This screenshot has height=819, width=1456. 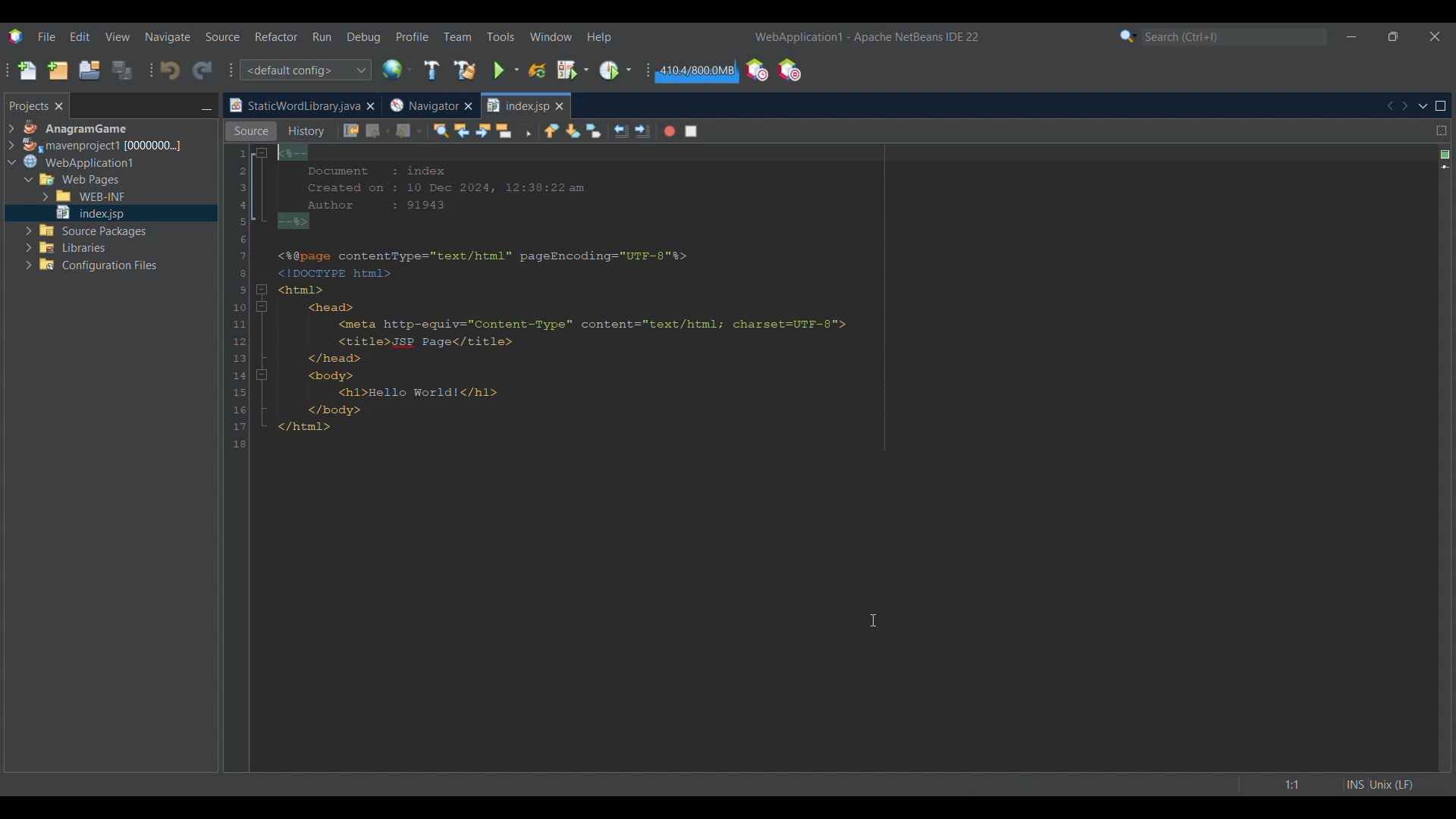 What do you see at coordinates (698, 71) in the screenshot?
I see `Garbage collection changed` at bounding box center [698, 71].